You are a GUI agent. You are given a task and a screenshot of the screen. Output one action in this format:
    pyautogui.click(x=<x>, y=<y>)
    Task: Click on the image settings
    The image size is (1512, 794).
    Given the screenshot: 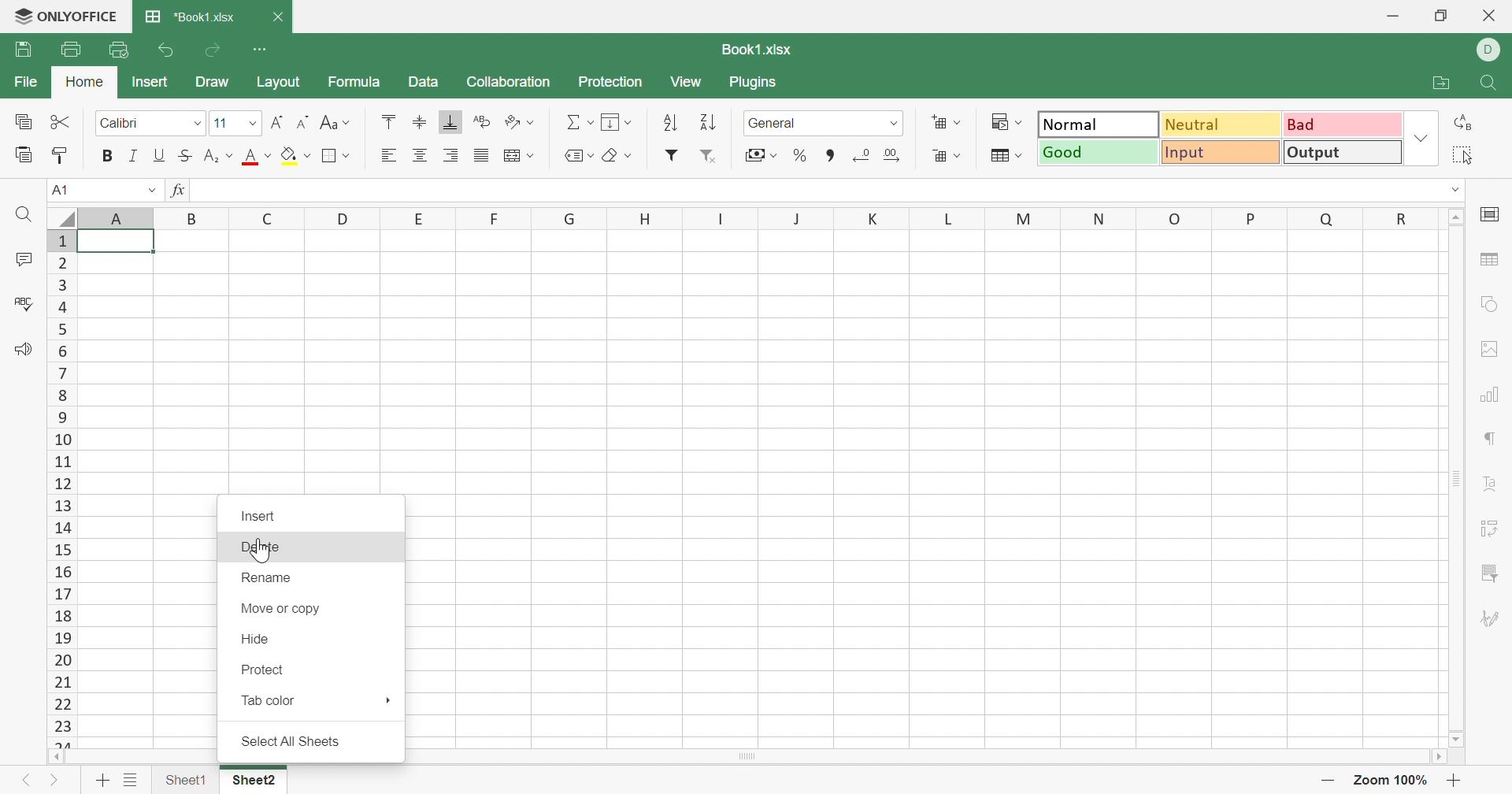 What is the action you would take?
    pyautogui.click(x=1494, y=347)
    